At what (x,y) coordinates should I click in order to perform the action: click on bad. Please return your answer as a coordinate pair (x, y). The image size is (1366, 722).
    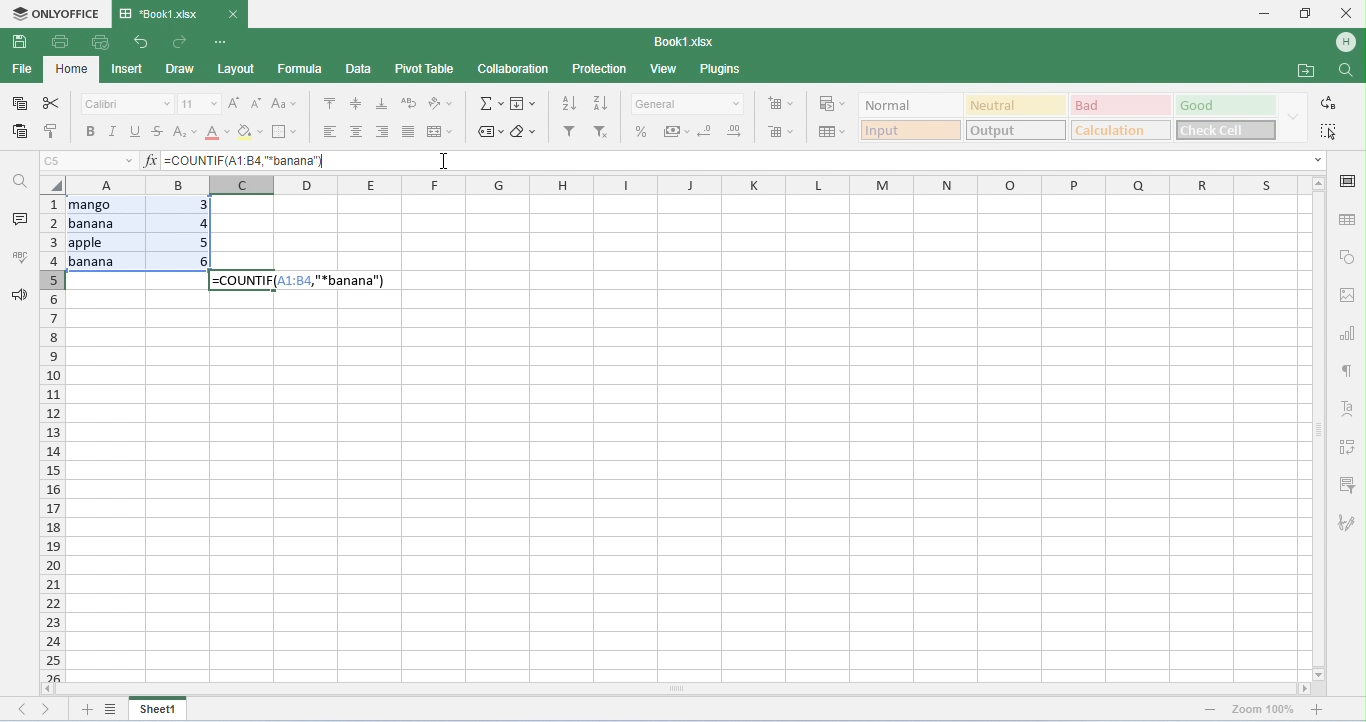
    Looking at the image, I should click on (1119, 104).